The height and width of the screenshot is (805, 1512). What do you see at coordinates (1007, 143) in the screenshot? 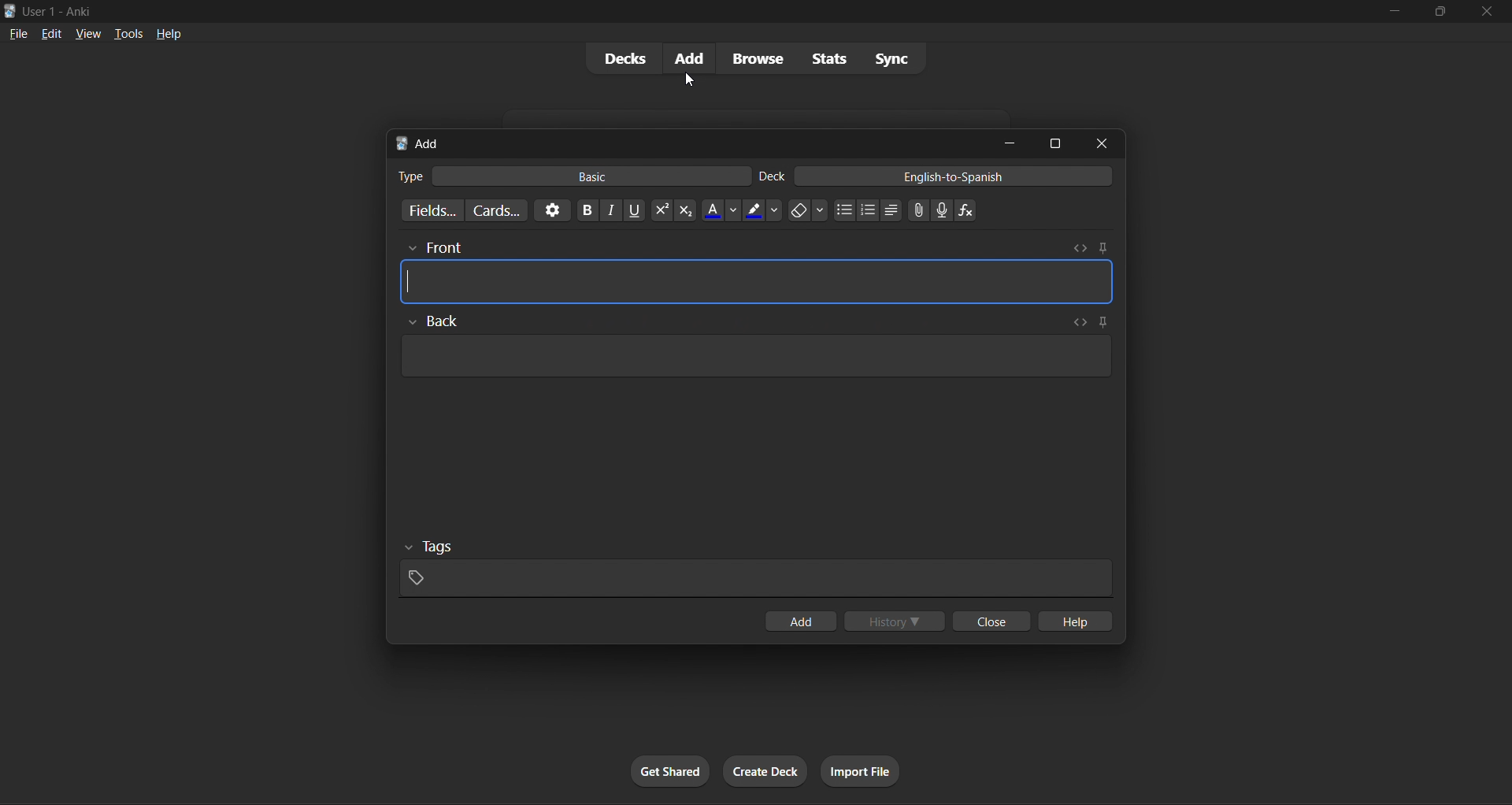
I see `minimize` at bounding box center [1007, 143].